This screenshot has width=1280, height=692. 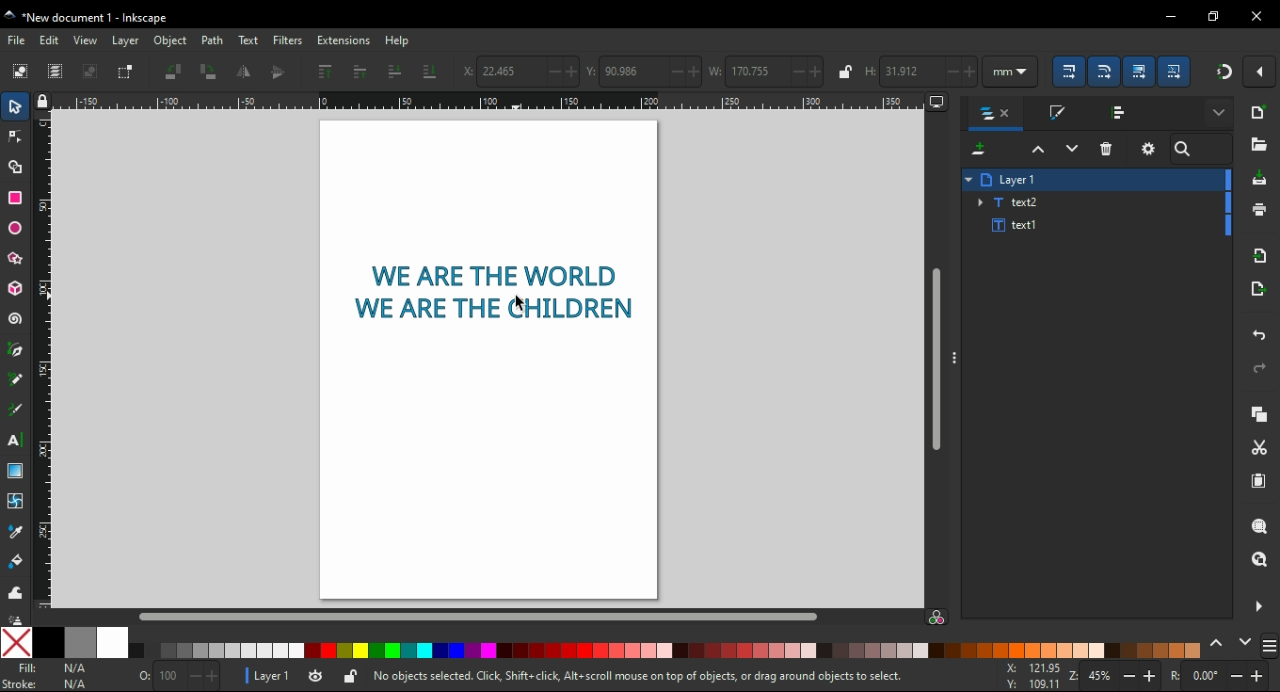 I want to click on gradient tool, so click(x=14, y=471).